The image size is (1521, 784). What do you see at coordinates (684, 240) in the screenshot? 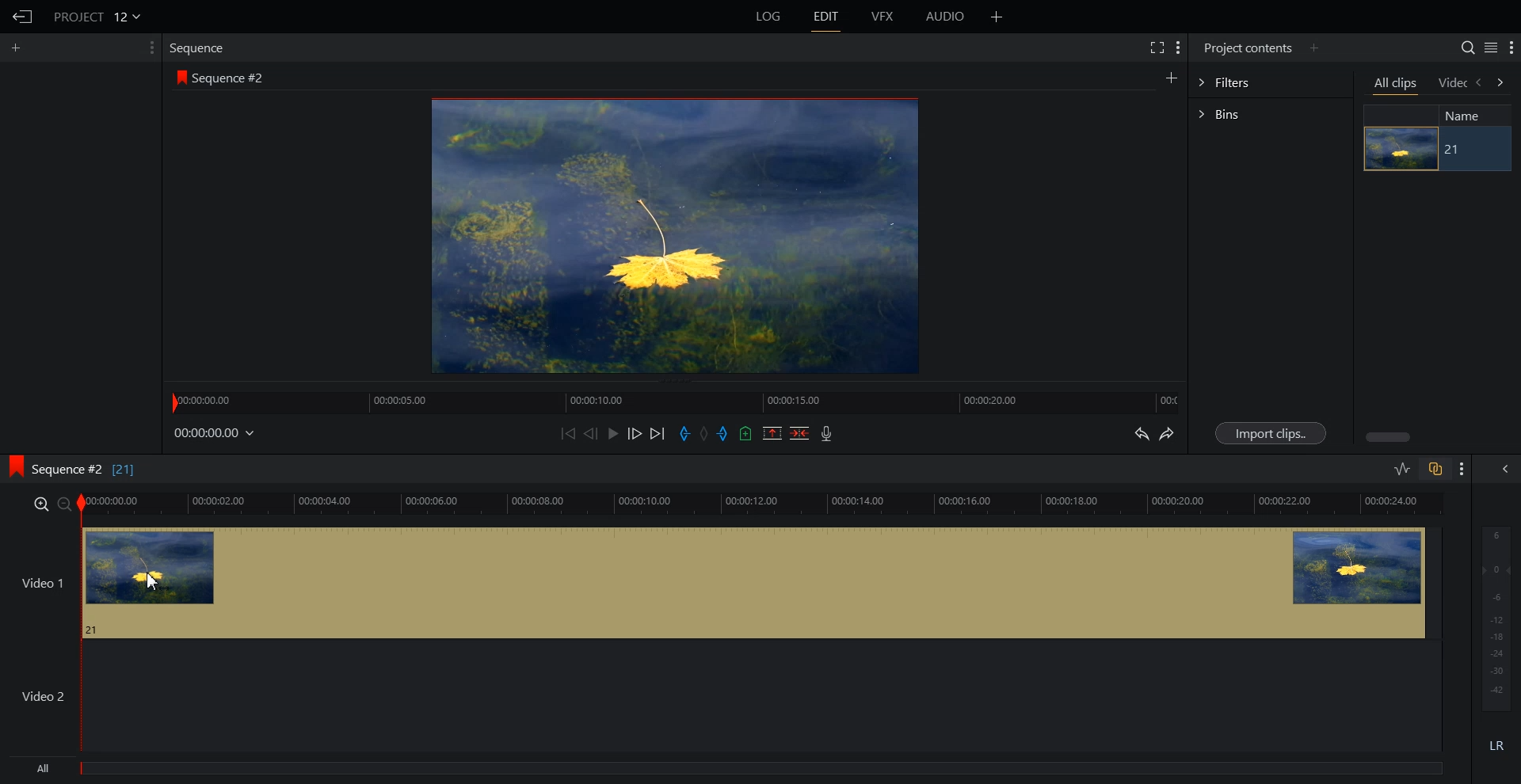
I see `Video Preview` at bounding box center [684, 240].